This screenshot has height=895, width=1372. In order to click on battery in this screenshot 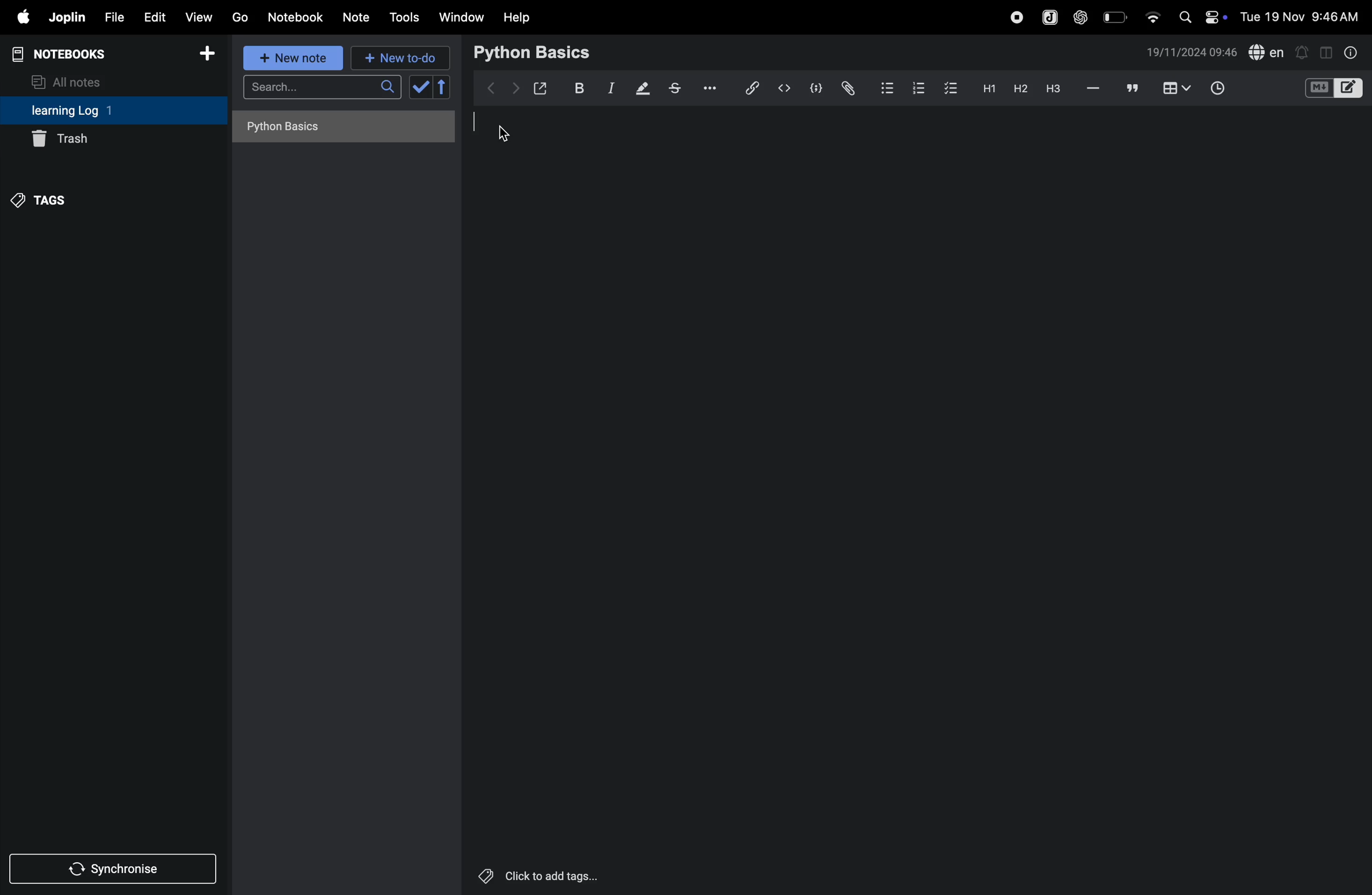, I will do `click(1116, 16)`.